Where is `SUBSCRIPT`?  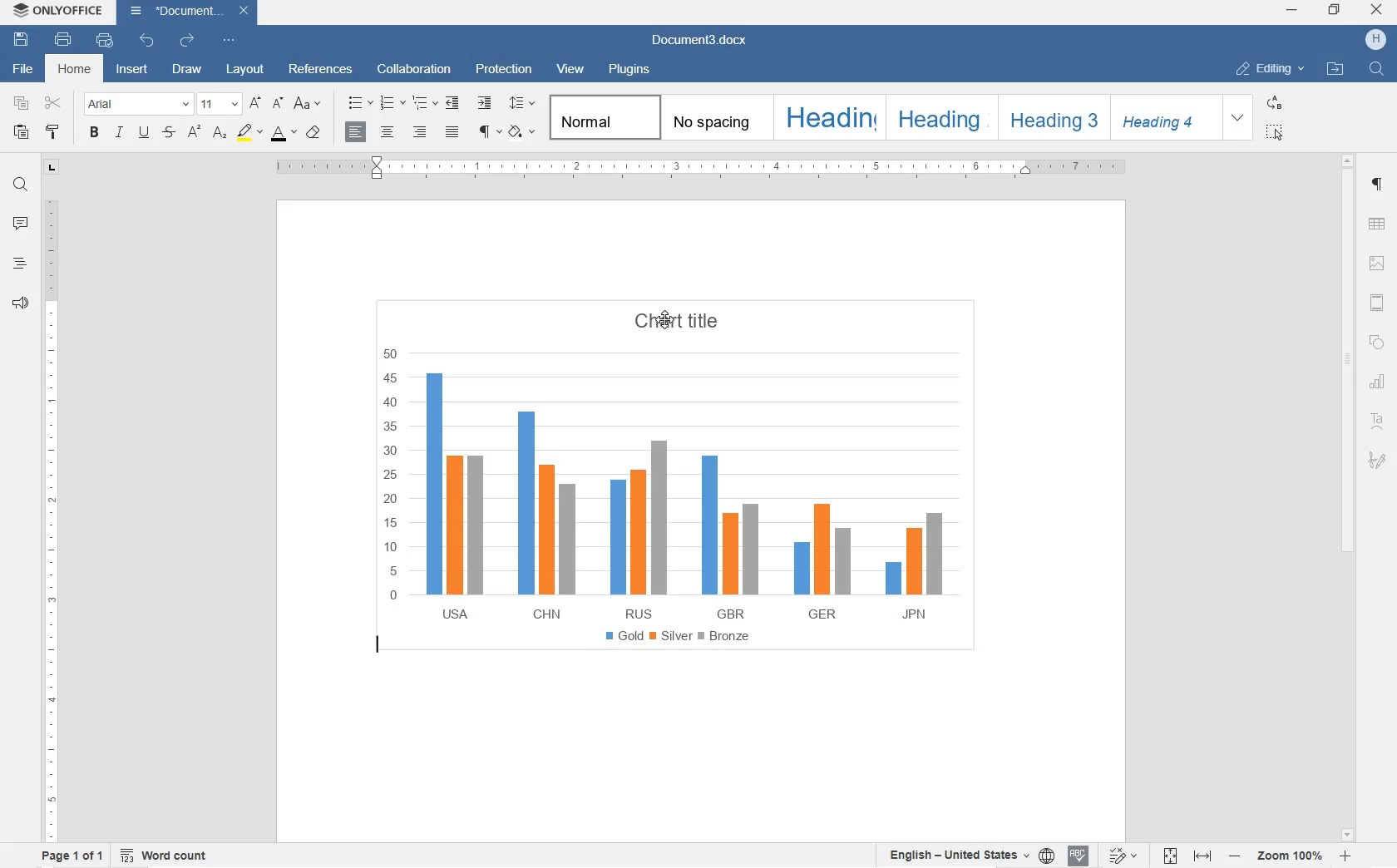 SUBSCRIPT is located at coordinates (219, 135).